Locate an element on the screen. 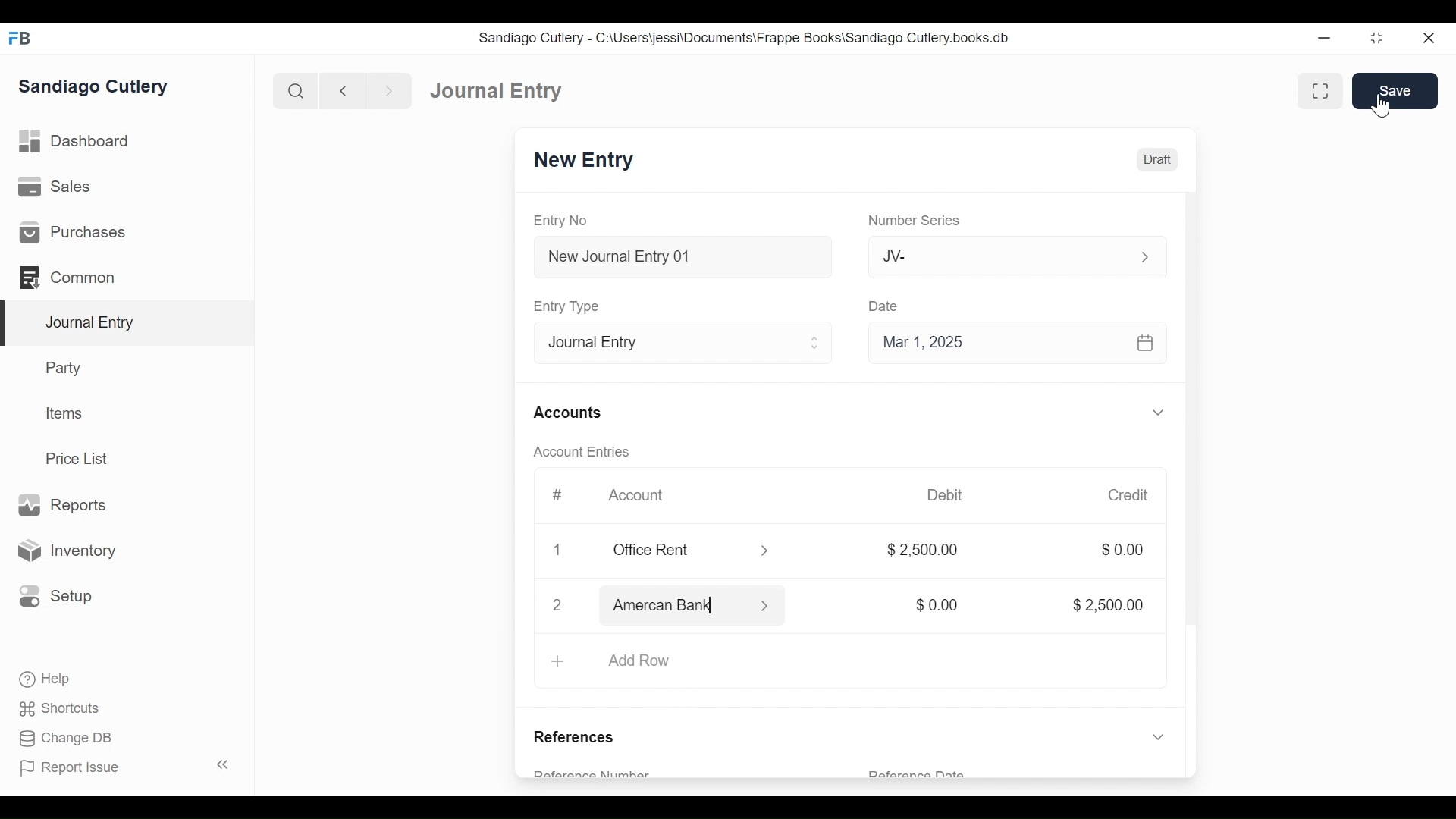 This screenshot has height=819, width=1456. Jv- is located at coordinates (1007, 257).